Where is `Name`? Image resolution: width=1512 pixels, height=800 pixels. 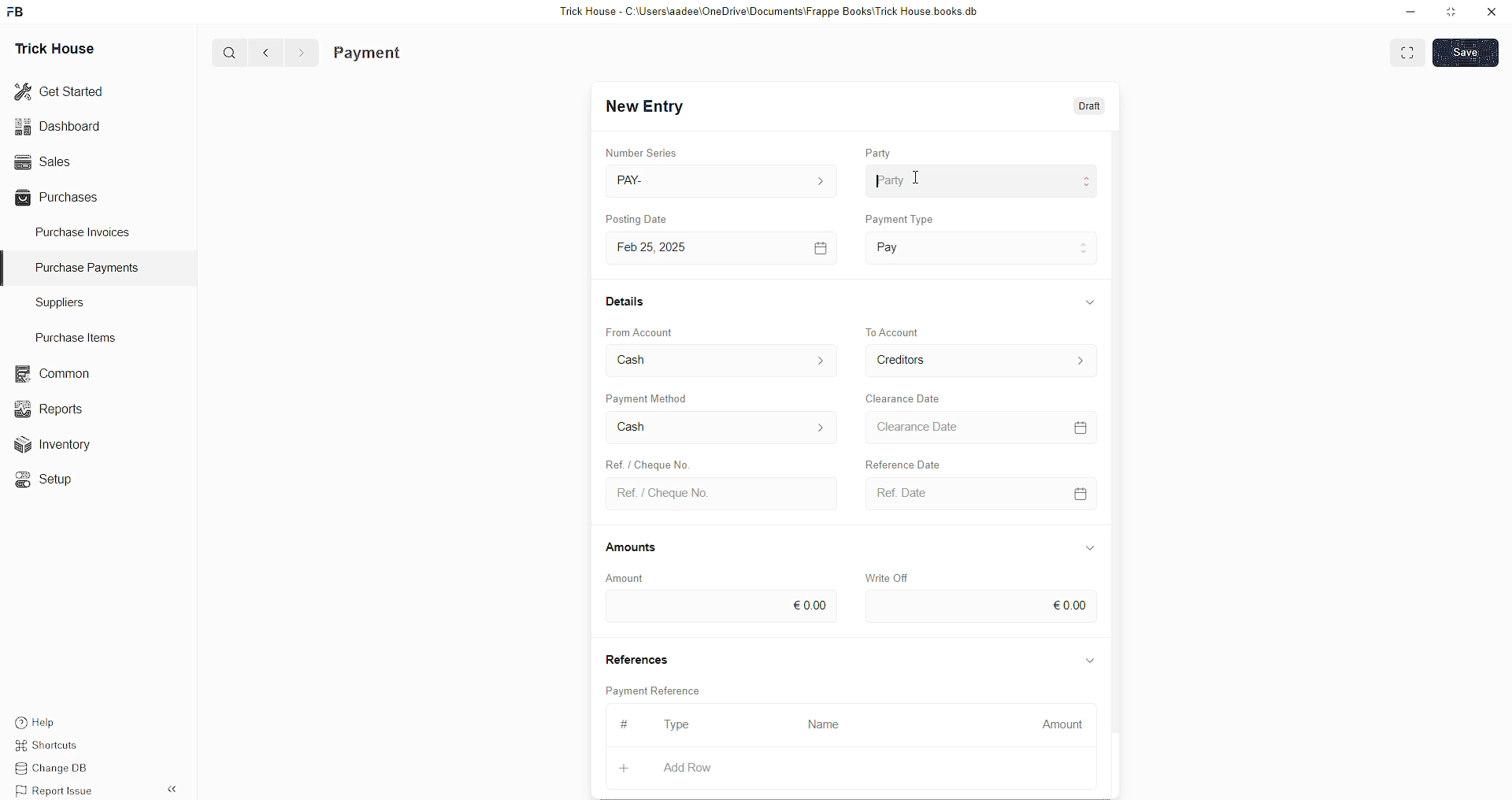
Name is located at coordinates (828, 724).